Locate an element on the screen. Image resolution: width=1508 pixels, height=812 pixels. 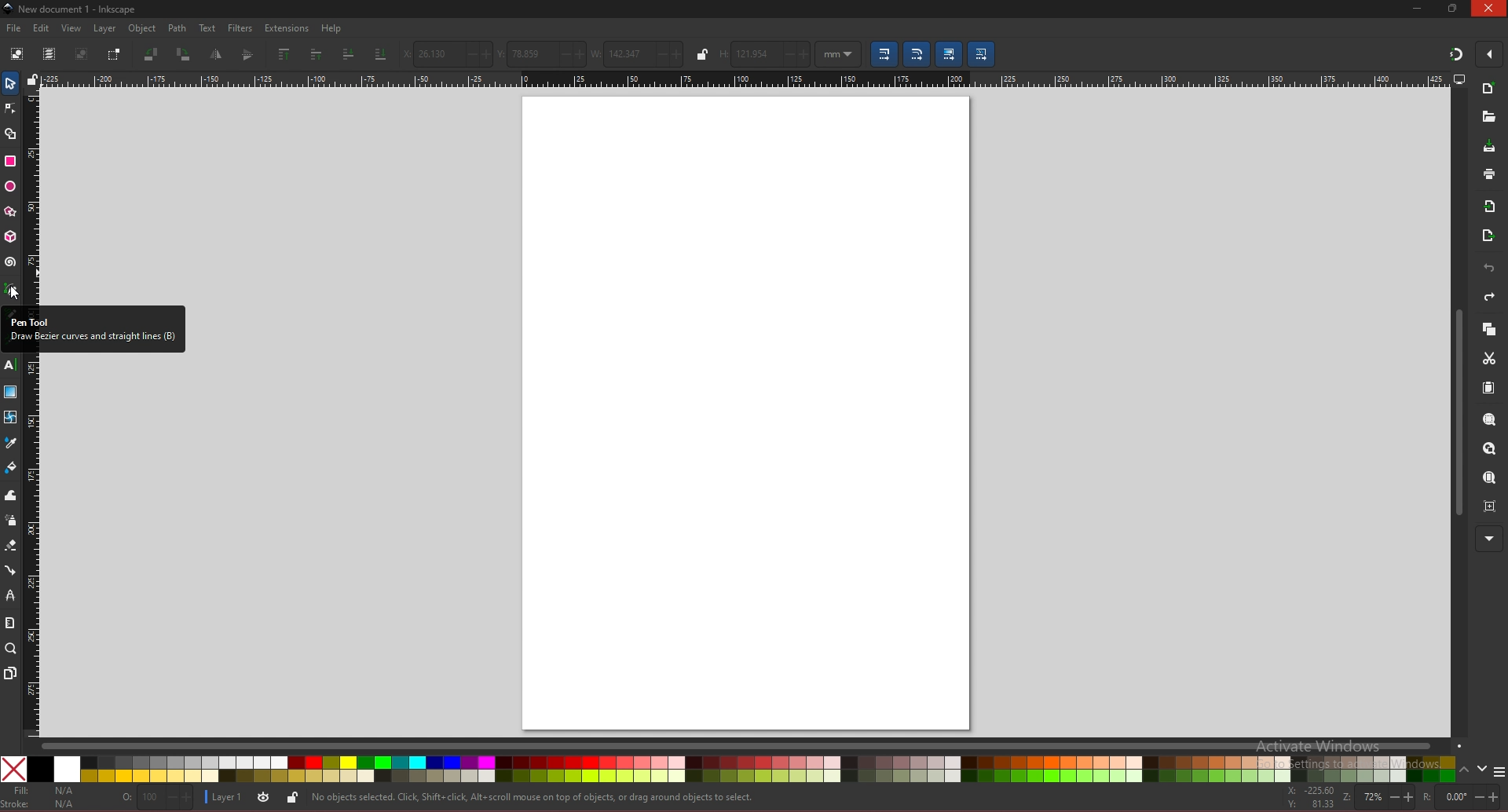
pen is located at coordinates (13, 290).